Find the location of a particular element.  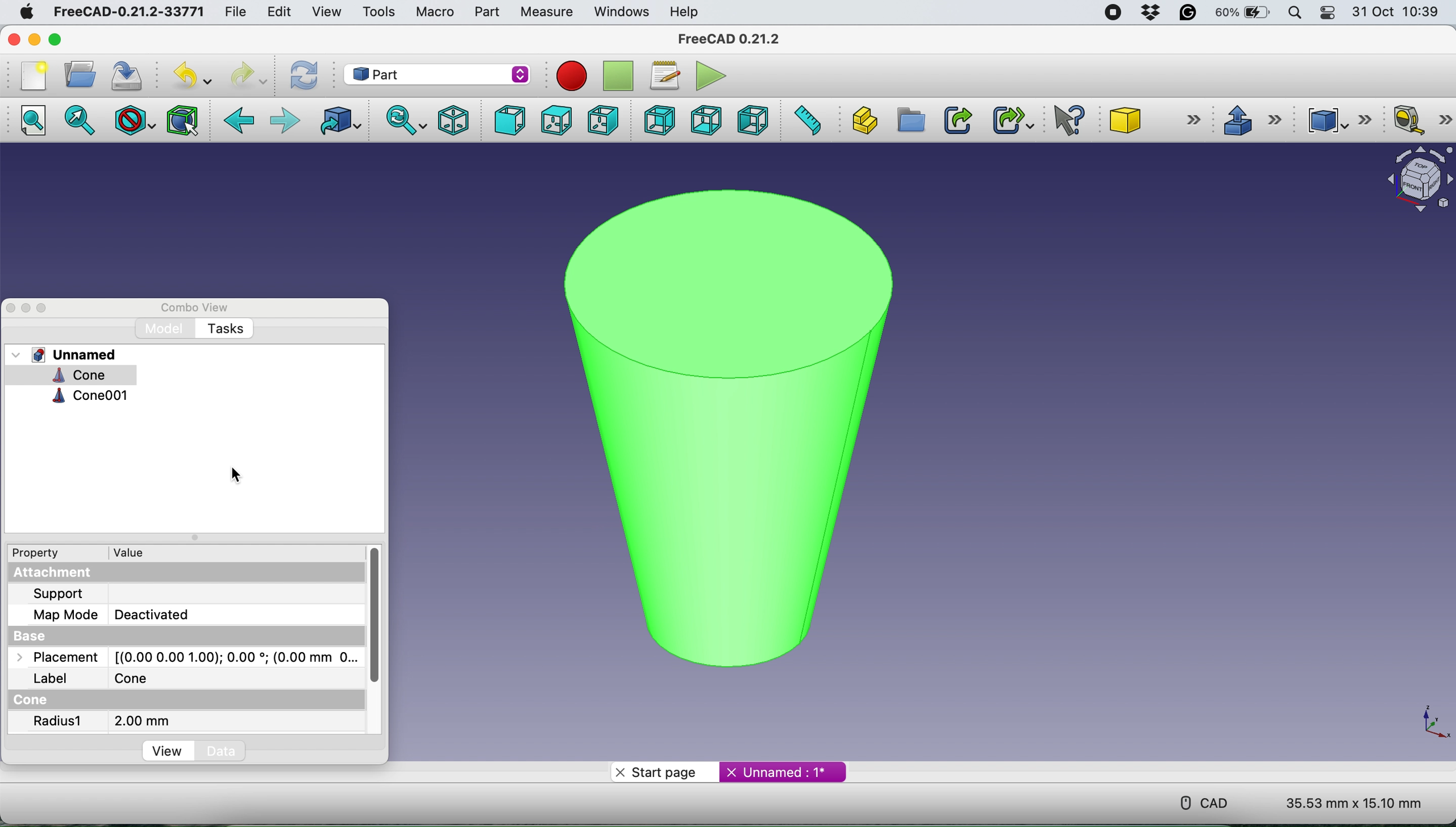

model is located at coordinates (168, 328).